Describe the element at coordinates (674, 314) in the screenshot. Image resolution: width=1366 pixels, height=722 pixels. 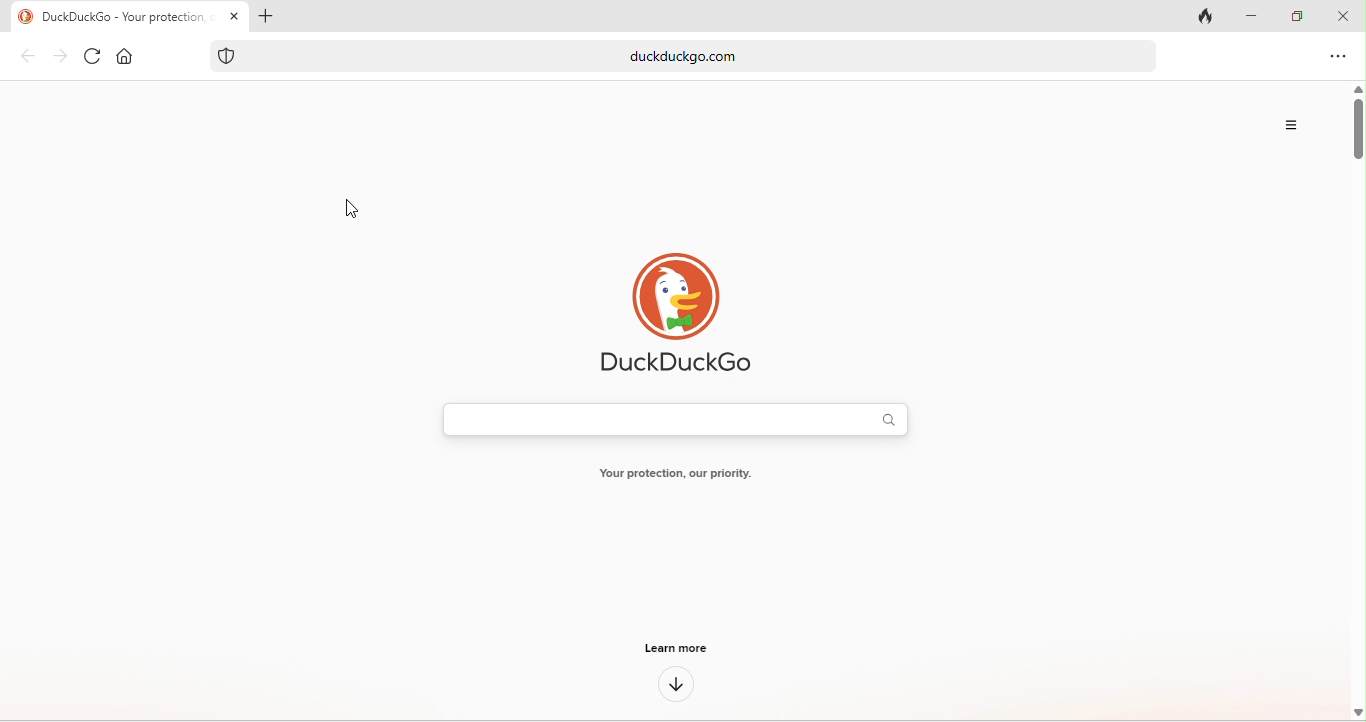
I see `duck duck go logo` at that location.